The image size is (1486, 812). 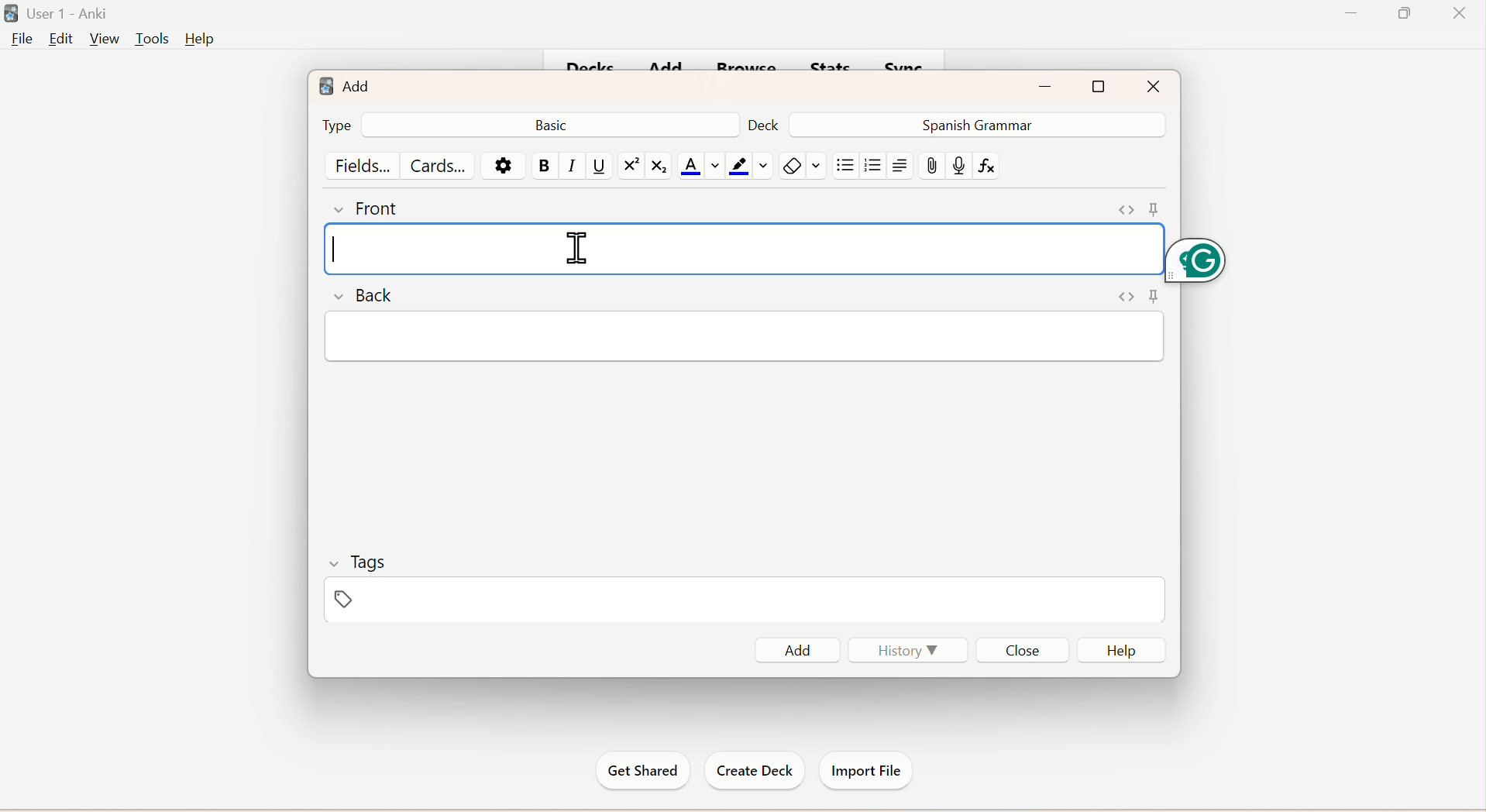 What do you see at coordinates (747, 166) in the screenshot?
I see `color` at bounding box center [747, 166].